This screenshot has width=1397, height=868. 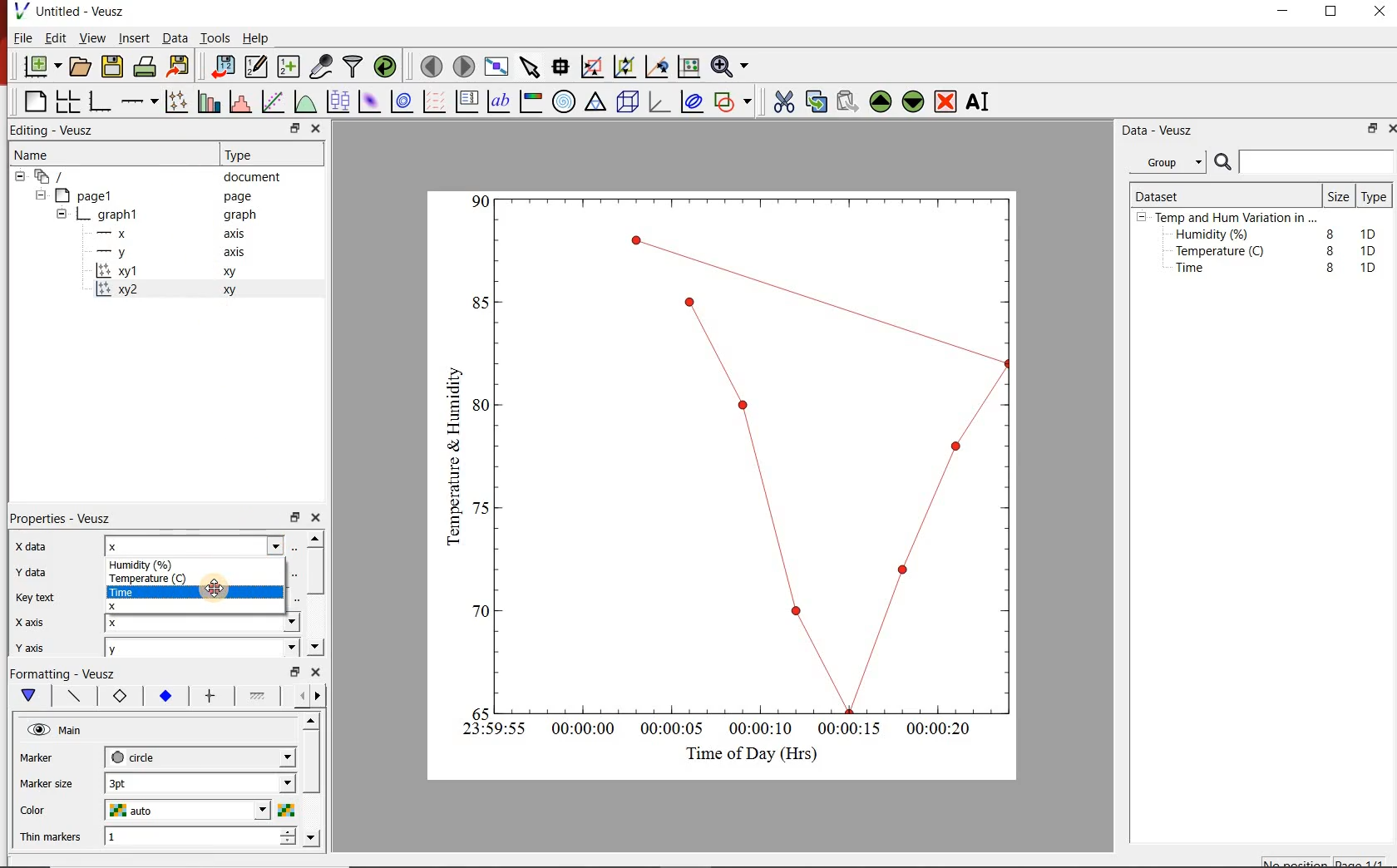 I want to click on x, so click(x=120, y=234).